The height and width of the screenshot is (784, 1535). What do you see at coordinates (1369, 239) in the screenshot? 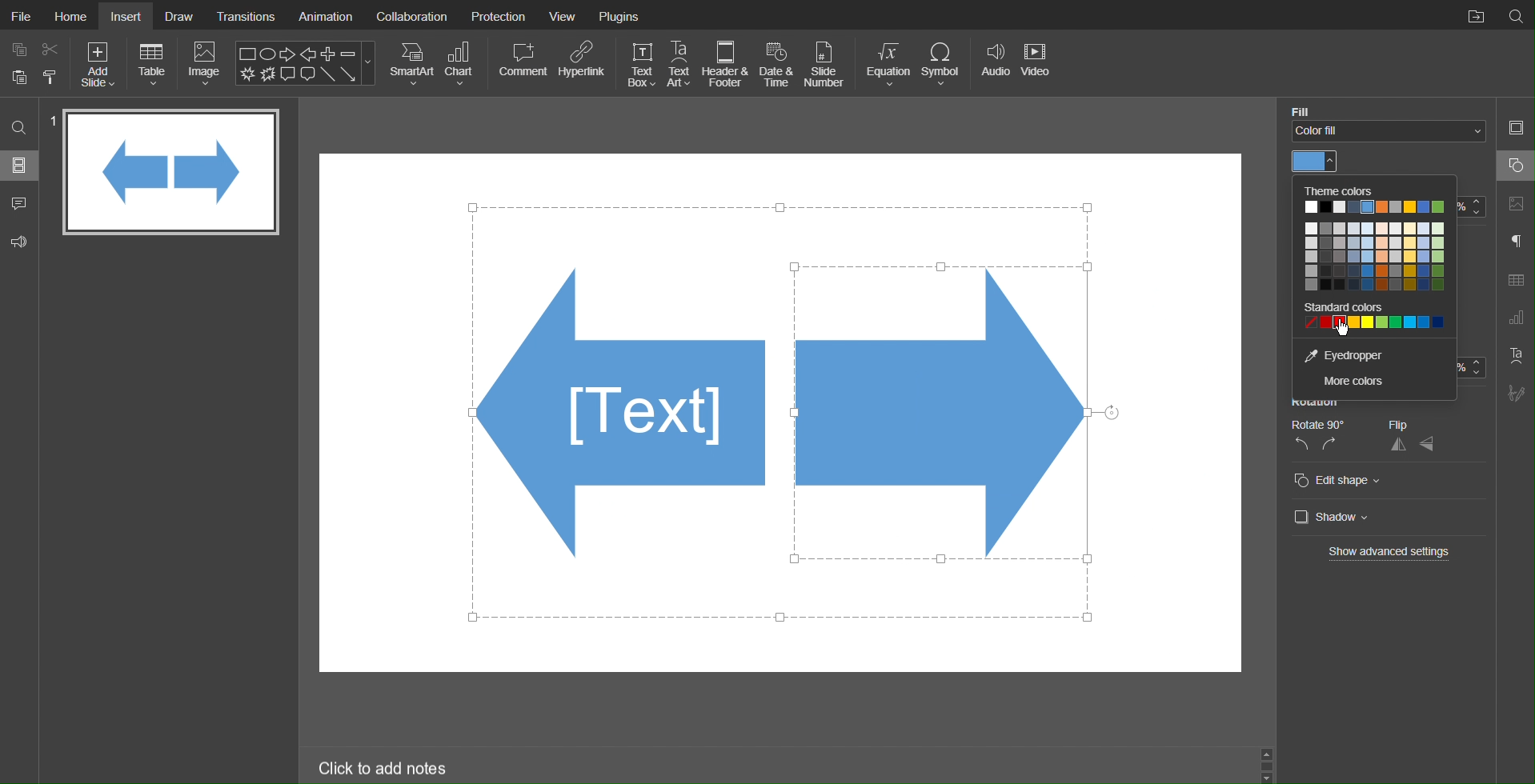
I see `Theme Colors` at bounding box center [1369, 239].